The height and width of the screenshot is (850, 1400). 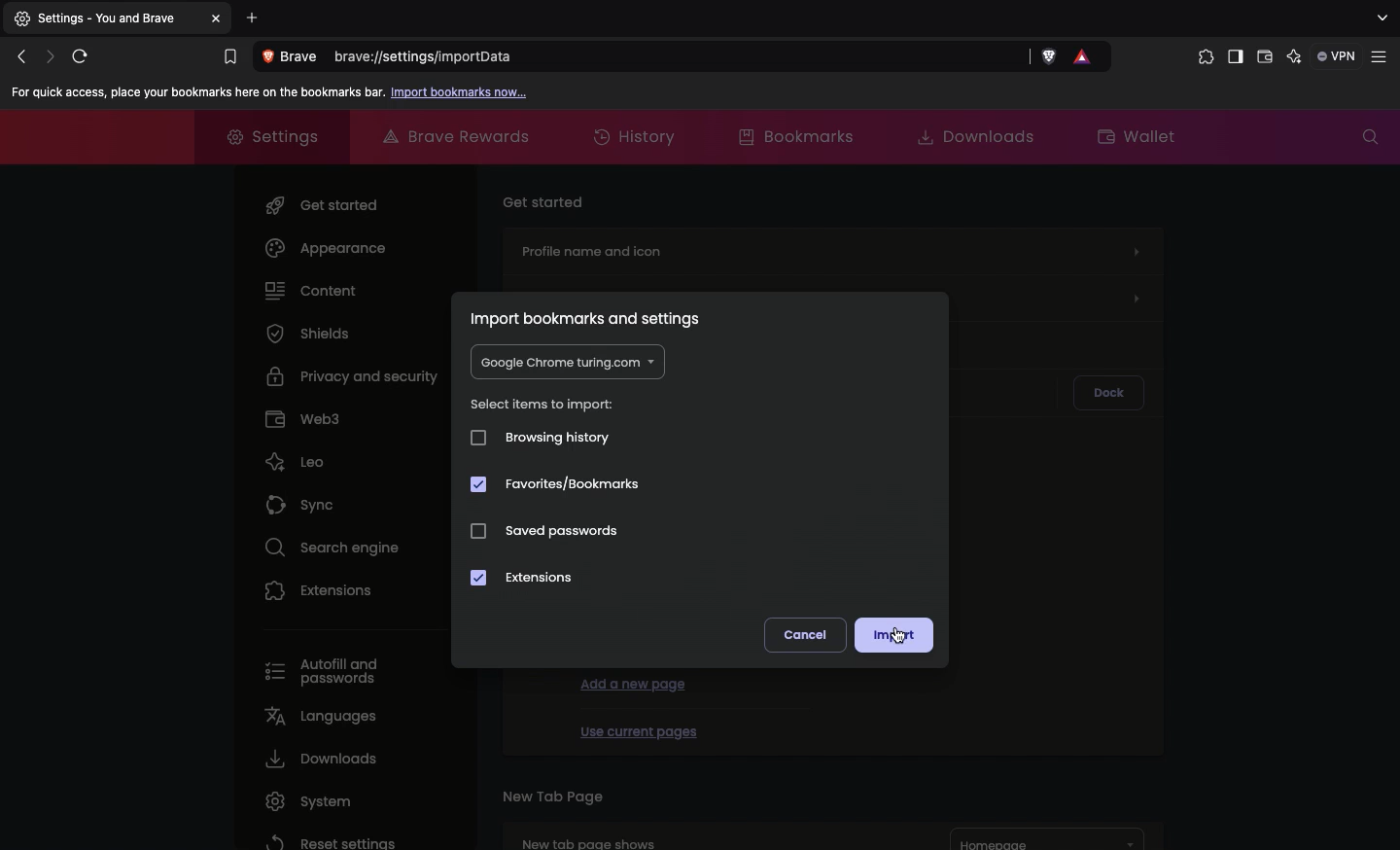 What do you see at coordinates (1050, 57) in the screenshot?
I see `Brave shields` at bounding box center [1050, 57].